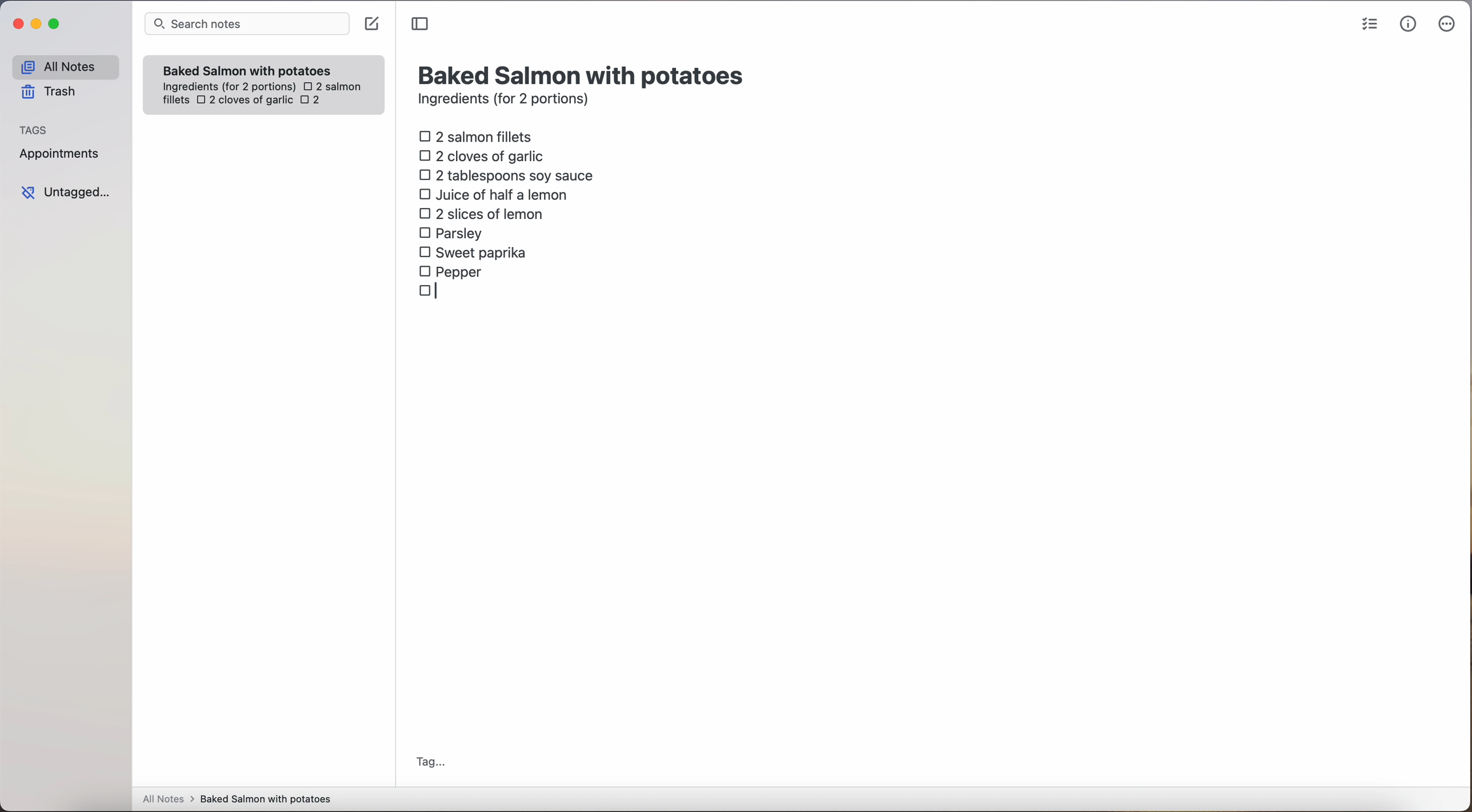  What do you see at coordinates (371, 24) in the screenshot?
I see `create note` at bounding box center [371, 24].